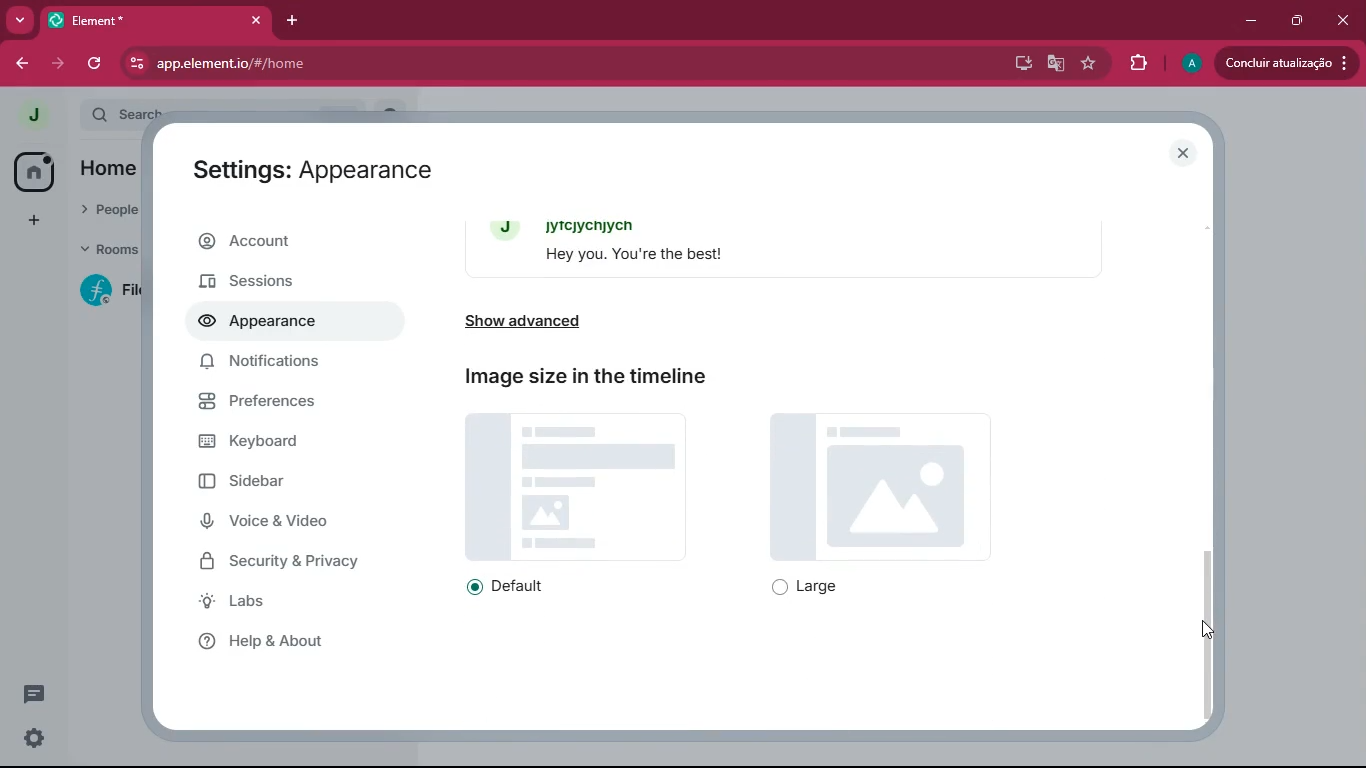  What do you see at coordinates (1132, 64) in the screenshot?
I see `extensions` at bounding box center [1132, 64].